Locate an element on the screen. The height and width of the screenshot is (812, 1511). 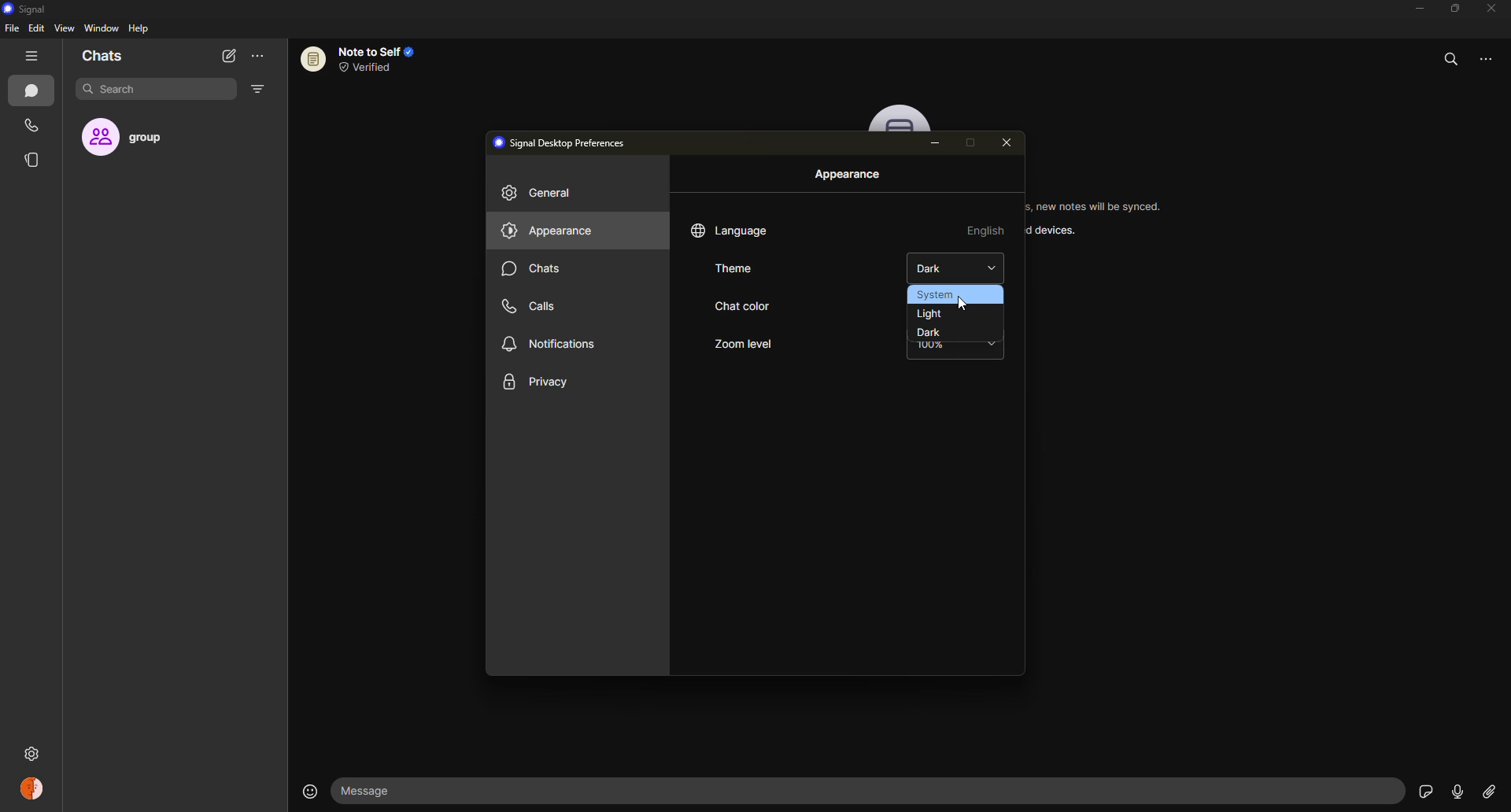
stories is located at coordinates (36, 160).